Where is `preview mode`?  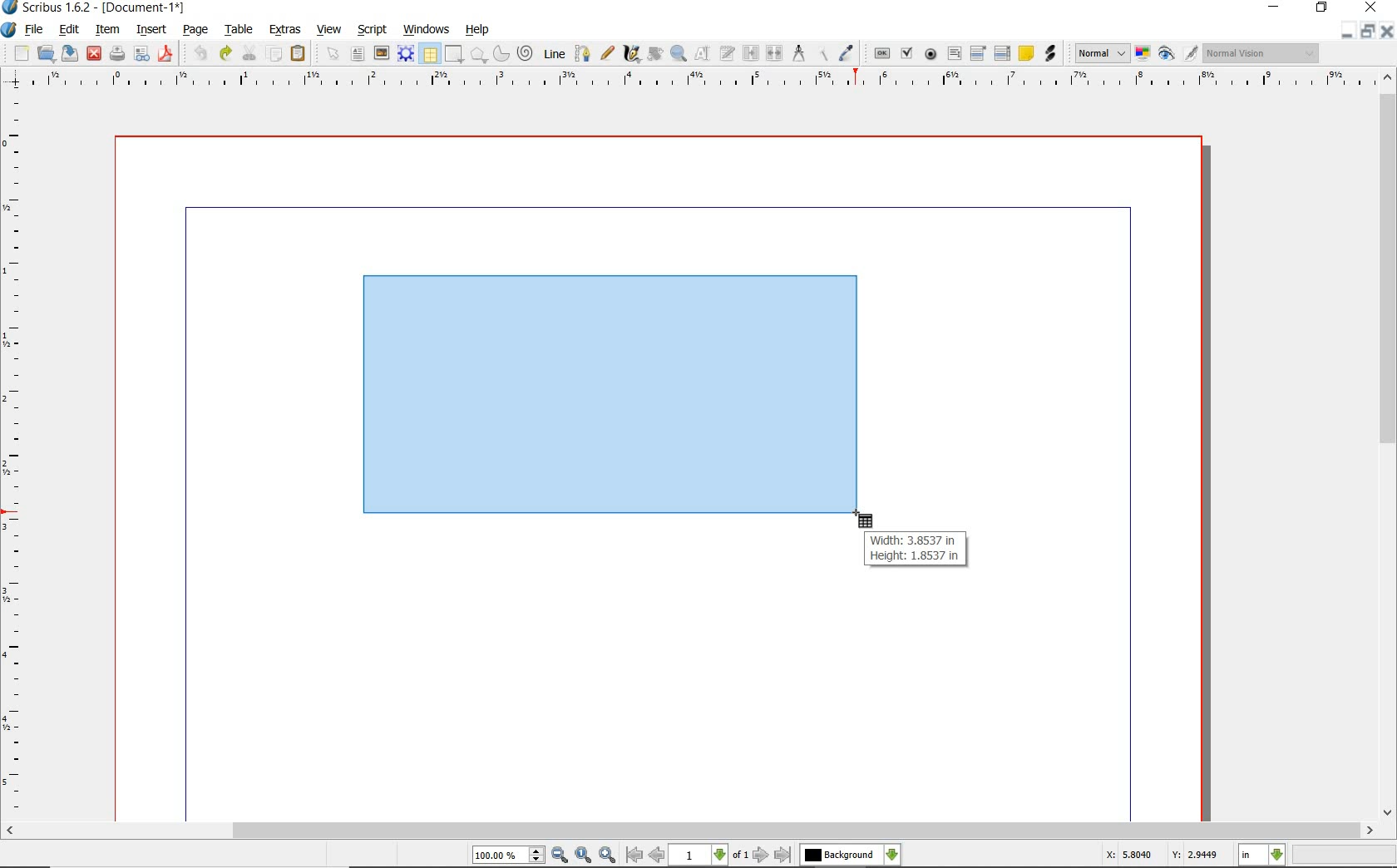 preview mode is located at coordinates (1167, 55).